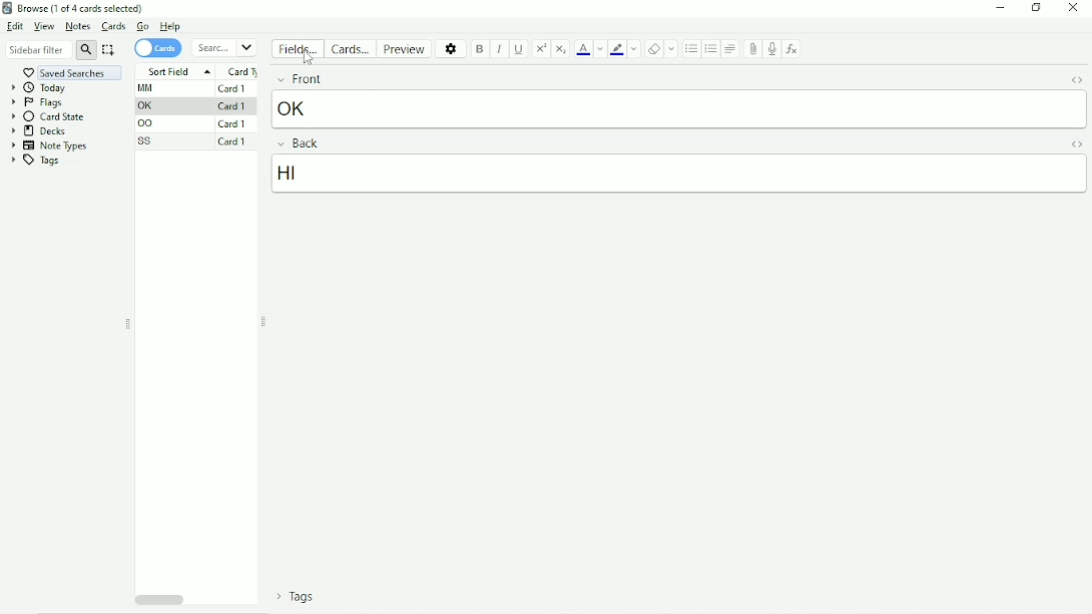 This screenshot has height=614, width=1092. Describe the element at coordinates (243, 71) in the screenshot. I see `Card type` at that location.